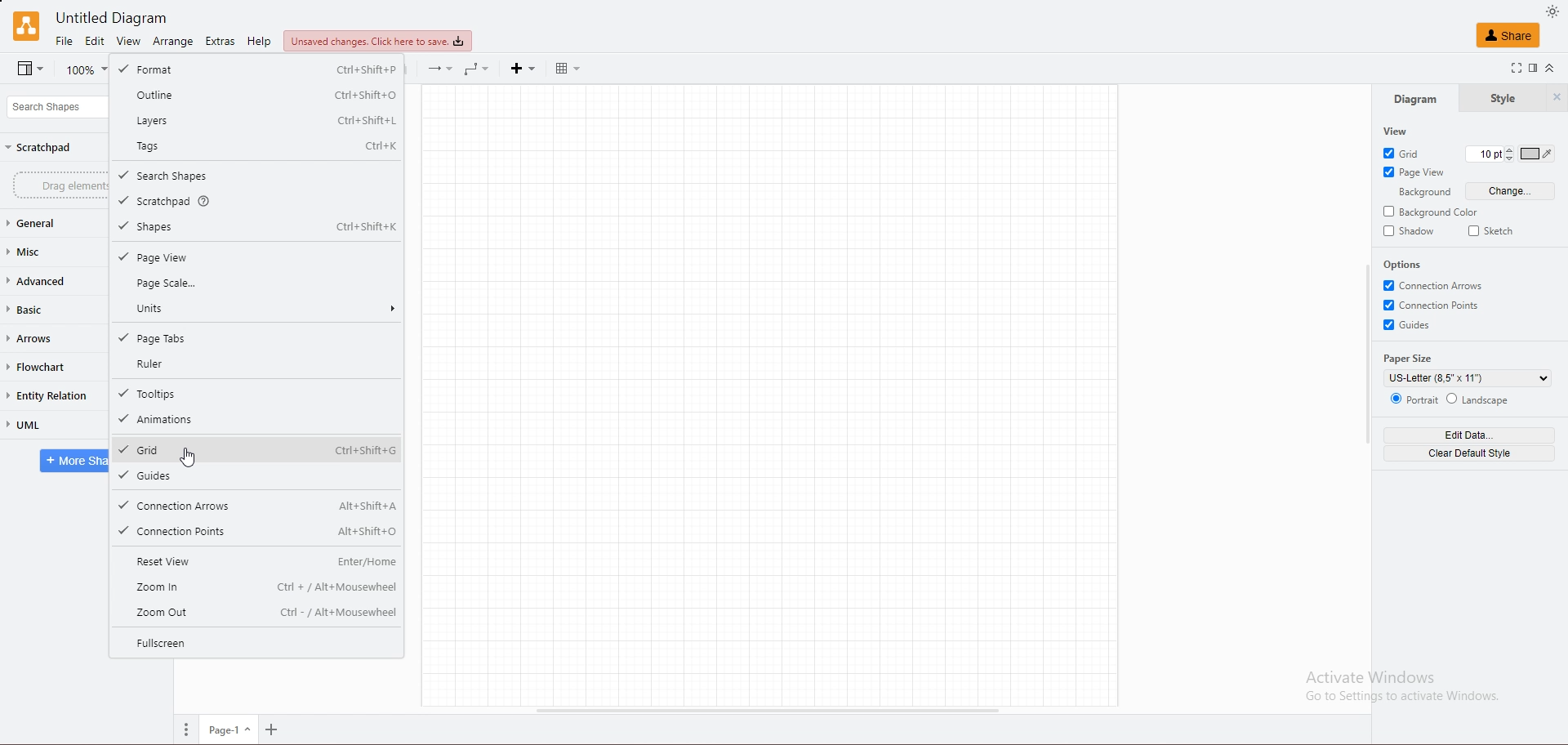 The width and height of the screenshot is (1568, 745). Describe the element at coordinates (256, 145) in the screenshot. I see `tags                 Ctrl+K` at that location.